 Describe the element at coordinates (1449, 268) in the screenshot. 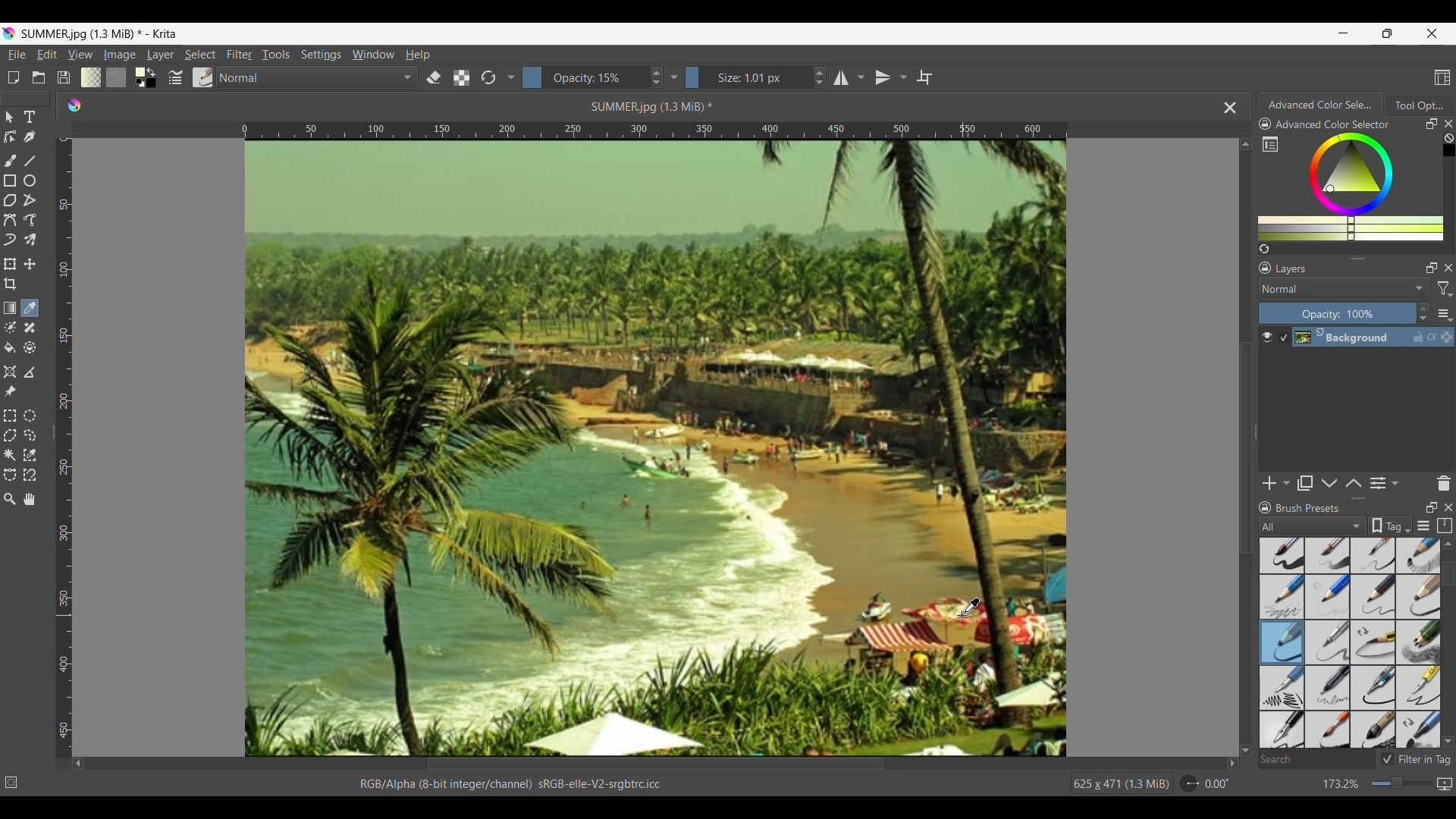

I see `Close panel` at that location.